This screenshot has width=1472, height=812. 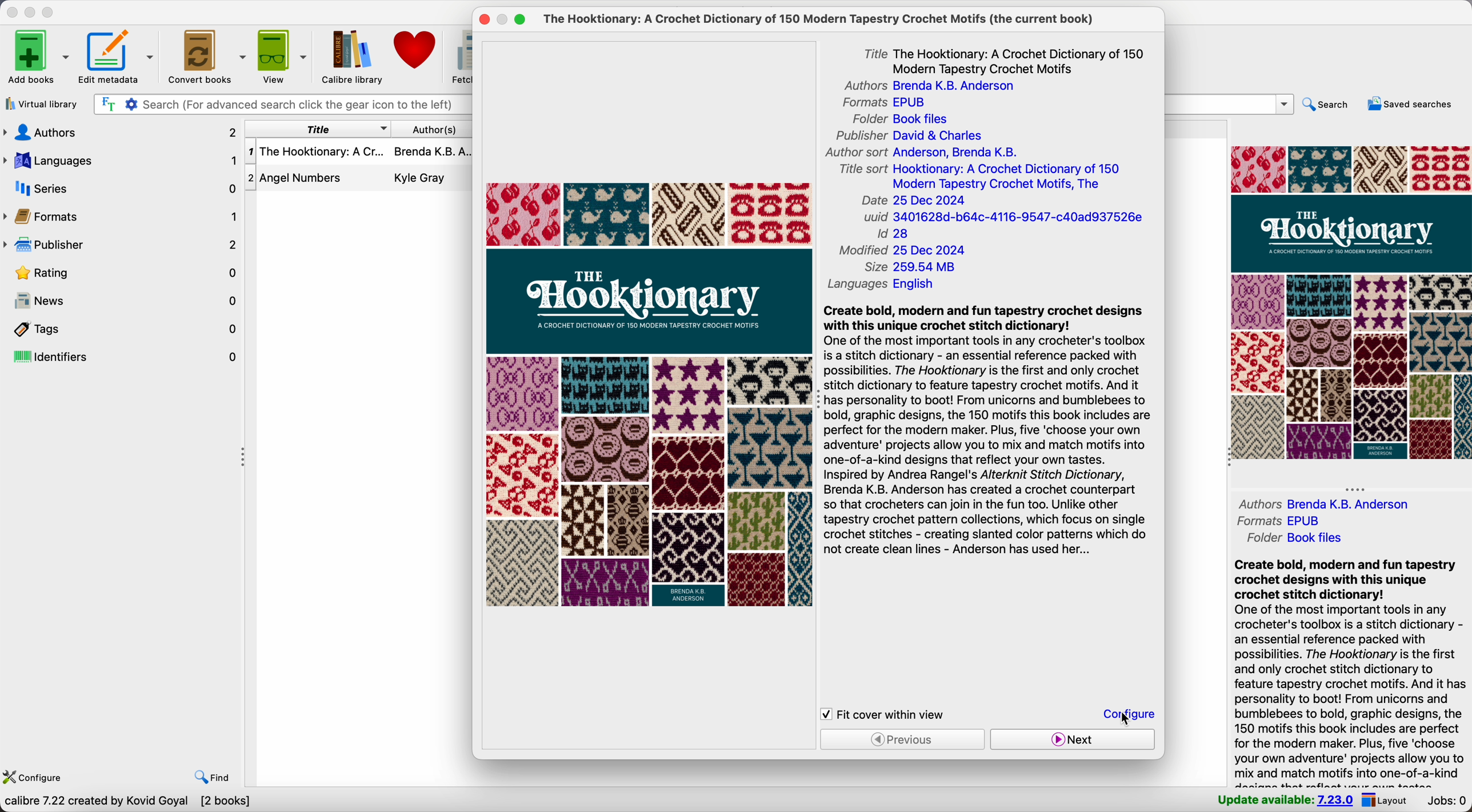 I want to click on synopsis, so click(x=1350, y=671).